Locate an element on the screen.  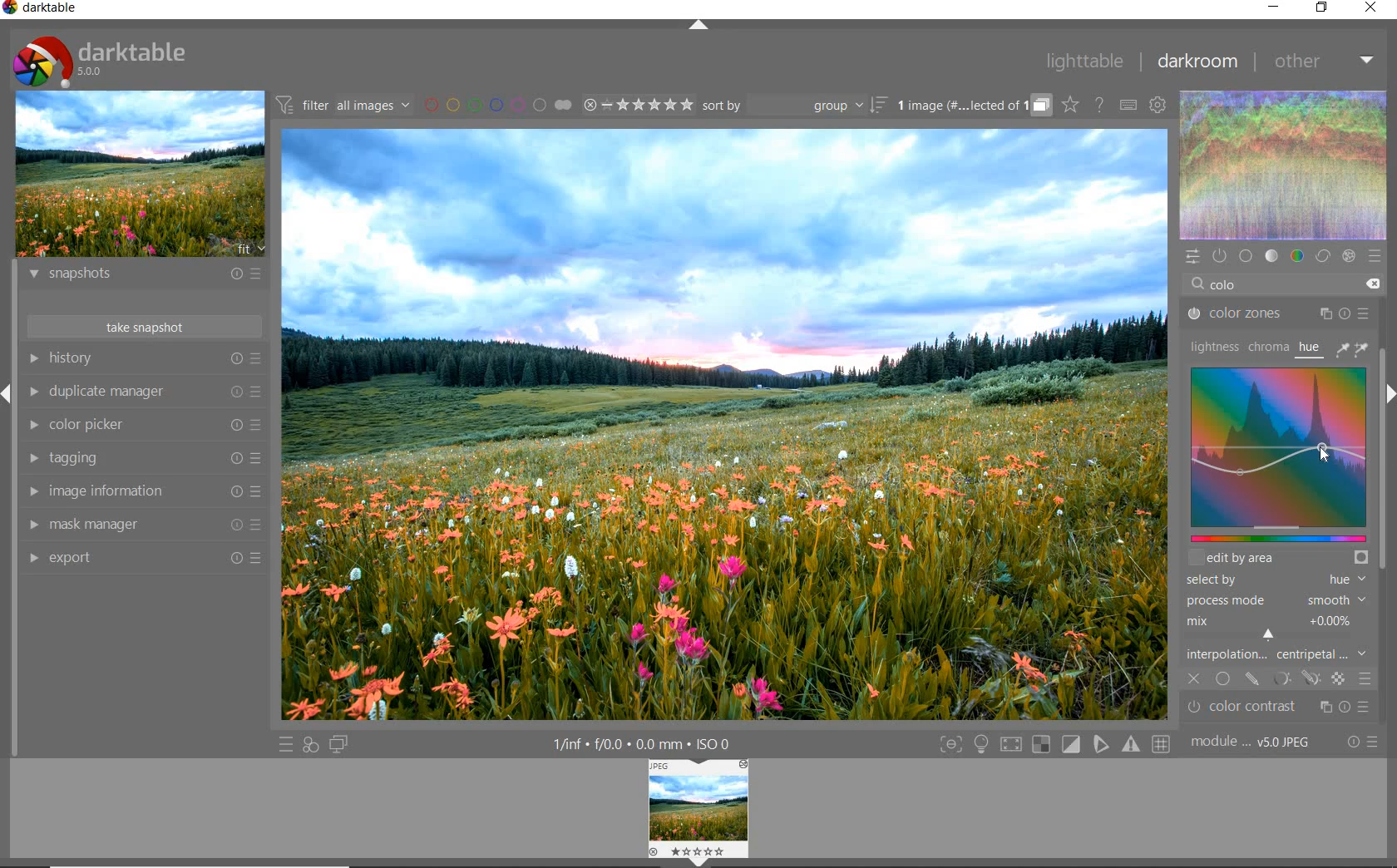
expand/collapse is located at coordinates (701, 26).